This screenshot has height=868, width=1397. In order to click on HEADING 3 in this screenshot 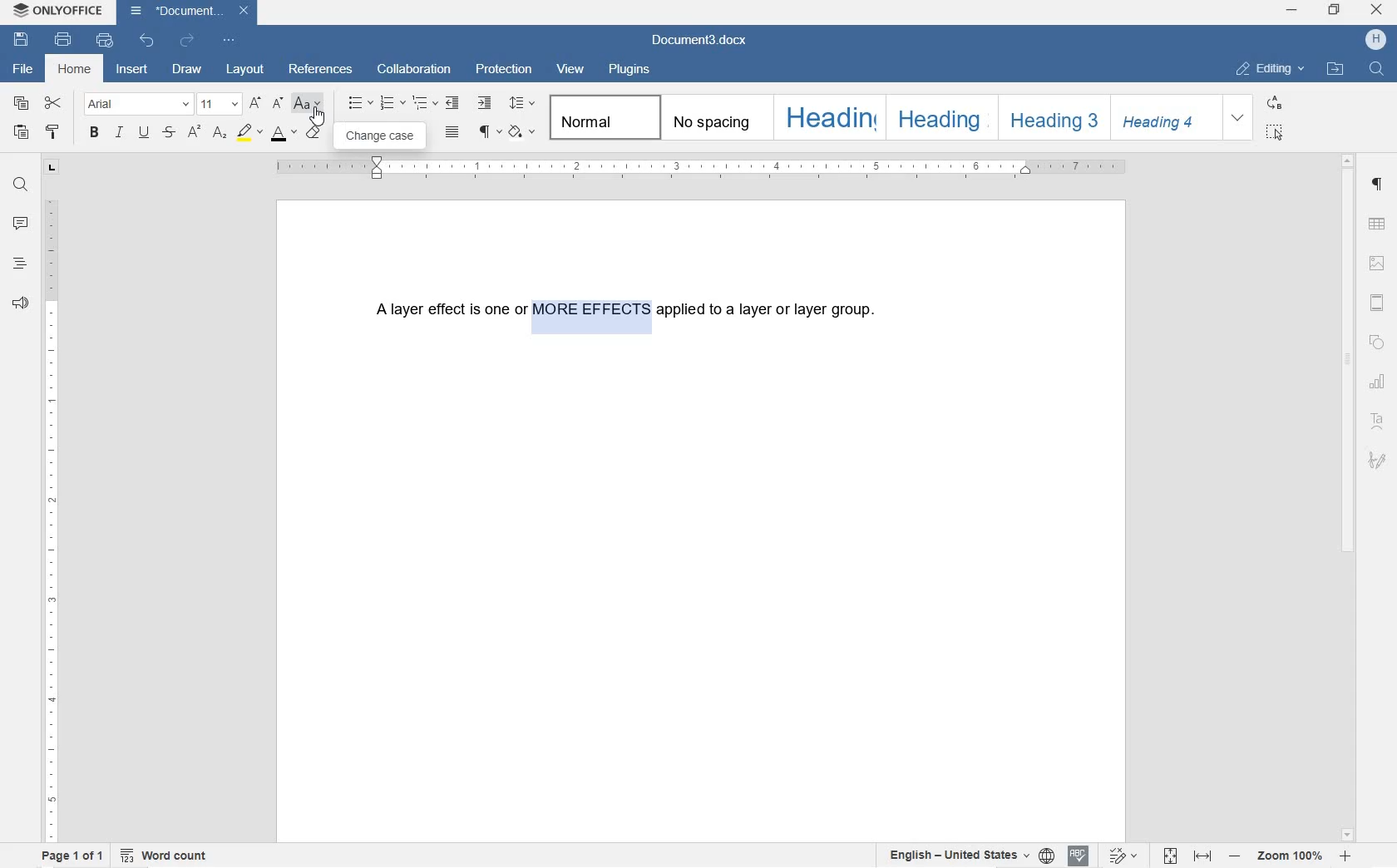, I will do `click(1052, 118)`.